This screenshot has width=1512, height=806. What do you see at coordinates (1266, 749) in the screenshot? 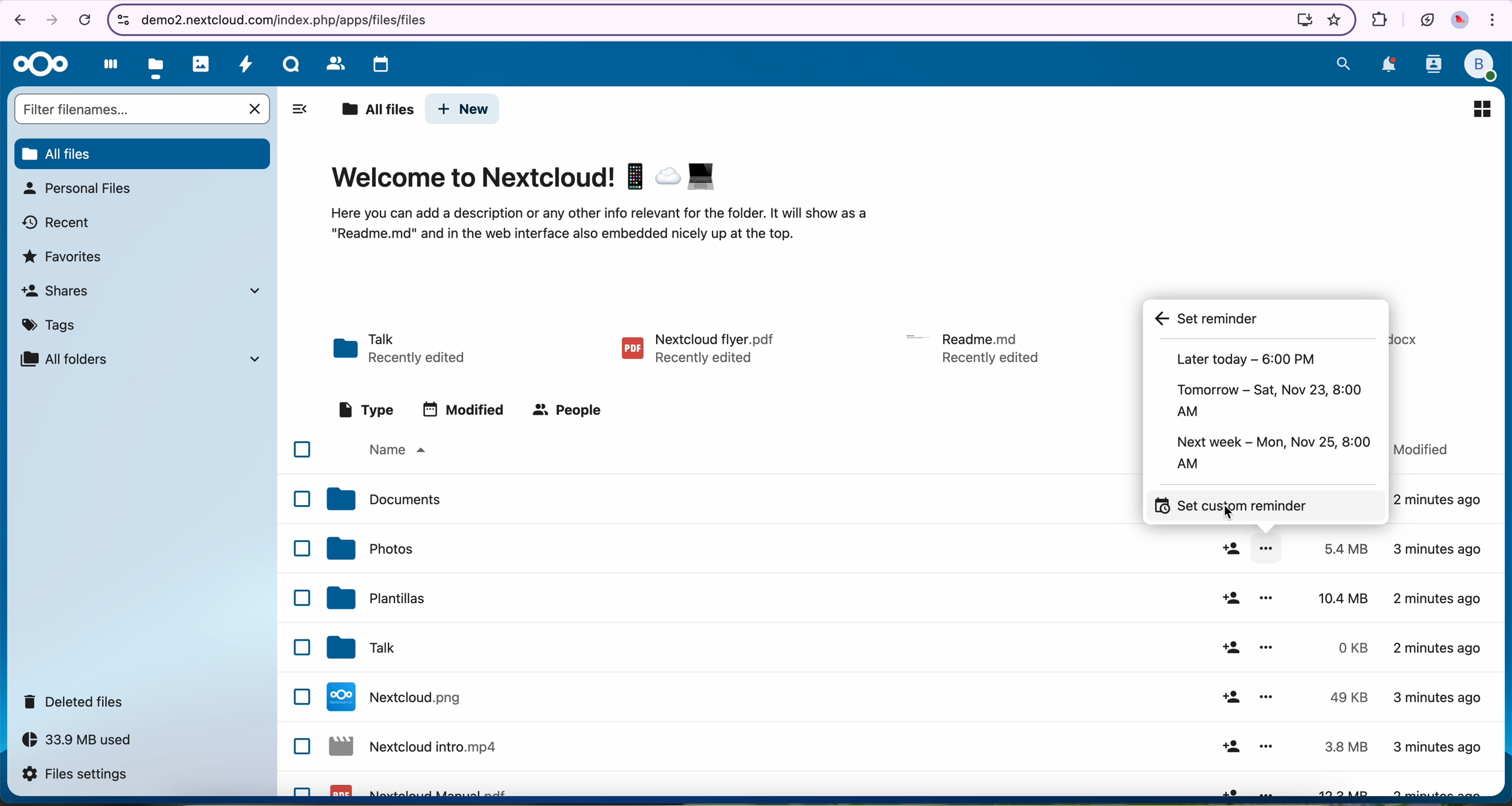
I see `more options` at bounding box center [1266, 749].